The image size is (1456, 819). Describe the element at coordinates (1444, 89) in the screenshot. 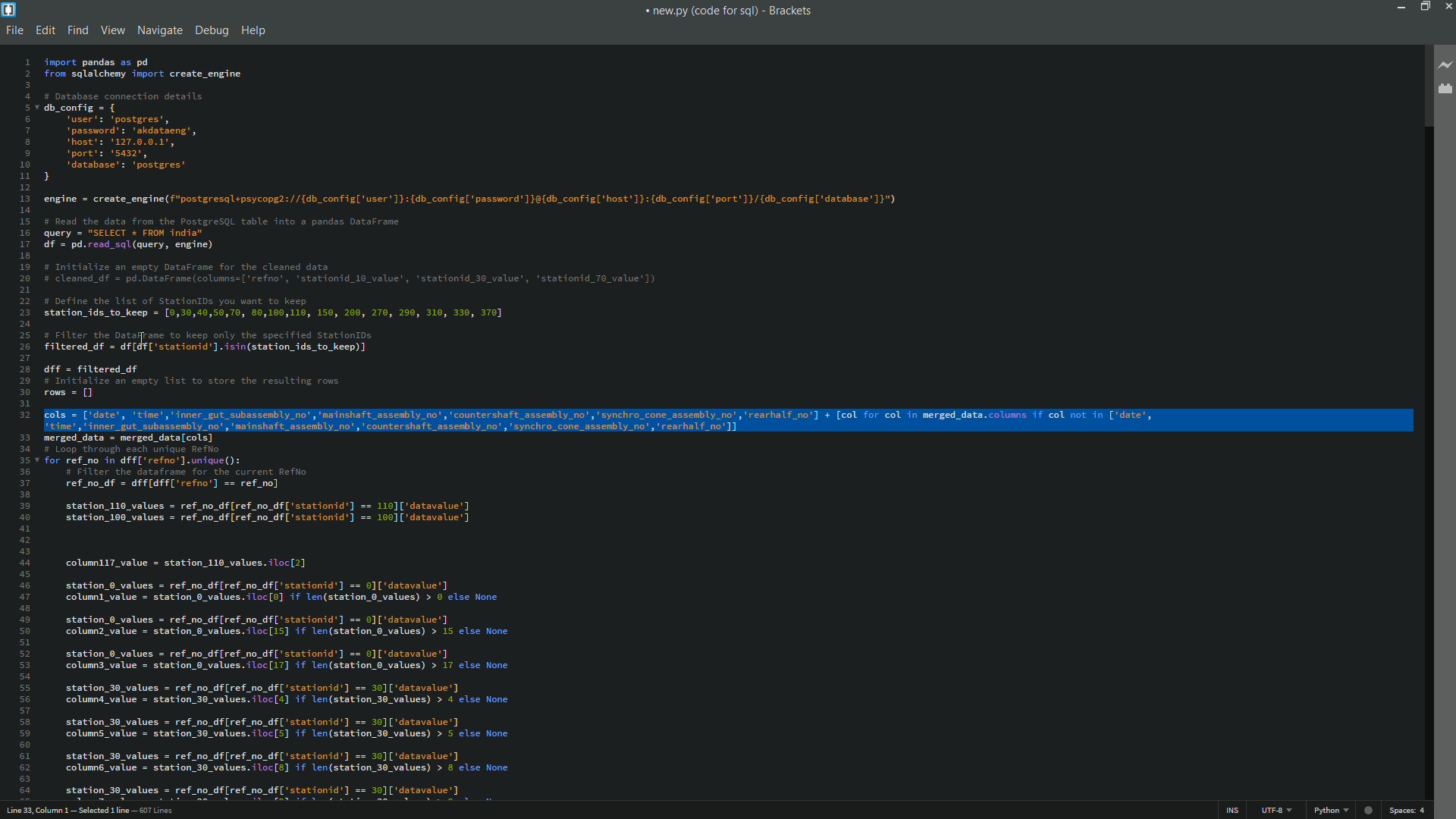

I see `extension manager` at that location.